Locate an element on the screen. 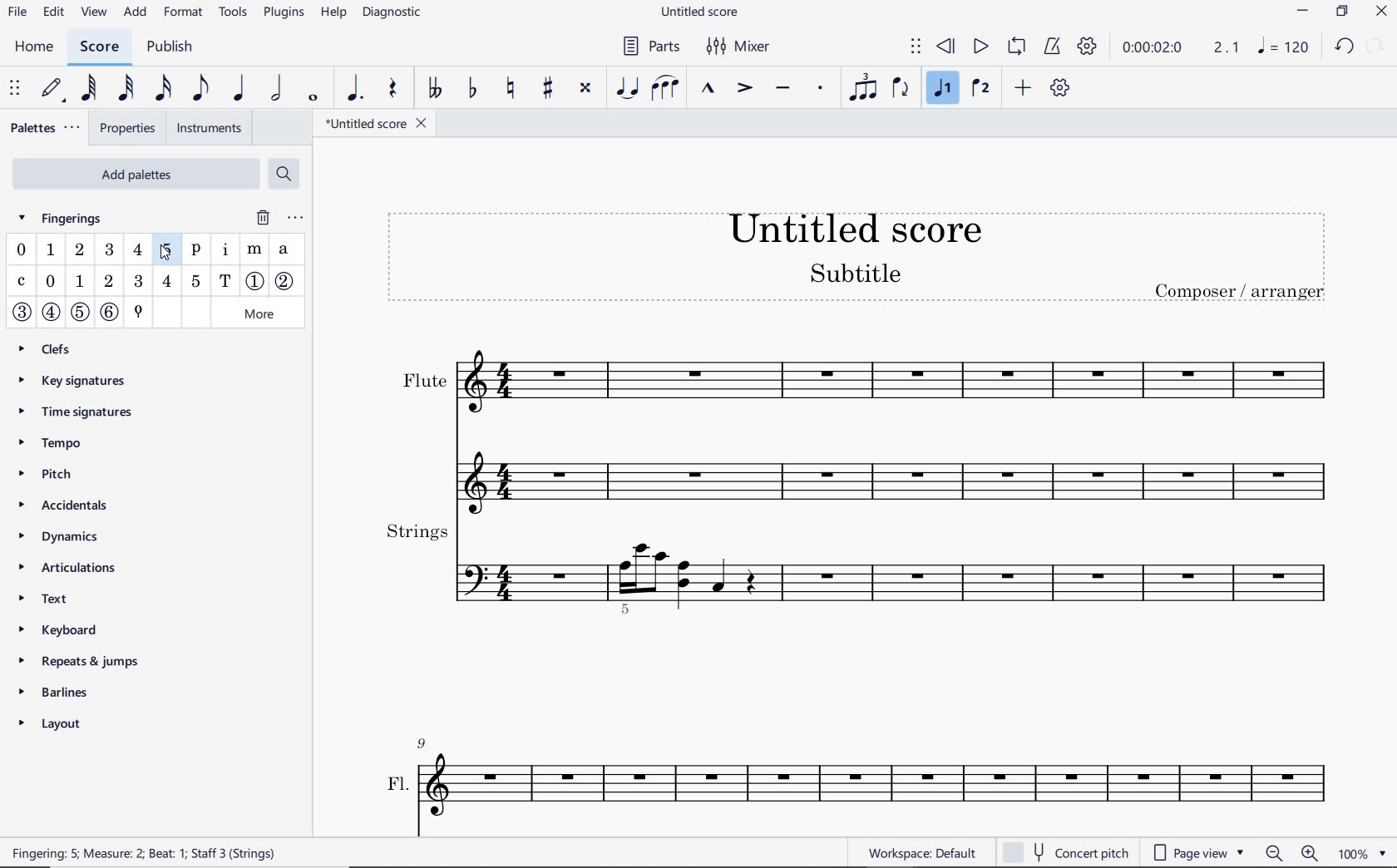 The height and width of the screenshot is (868, 1397). slur is located at coordinates (664, 90).